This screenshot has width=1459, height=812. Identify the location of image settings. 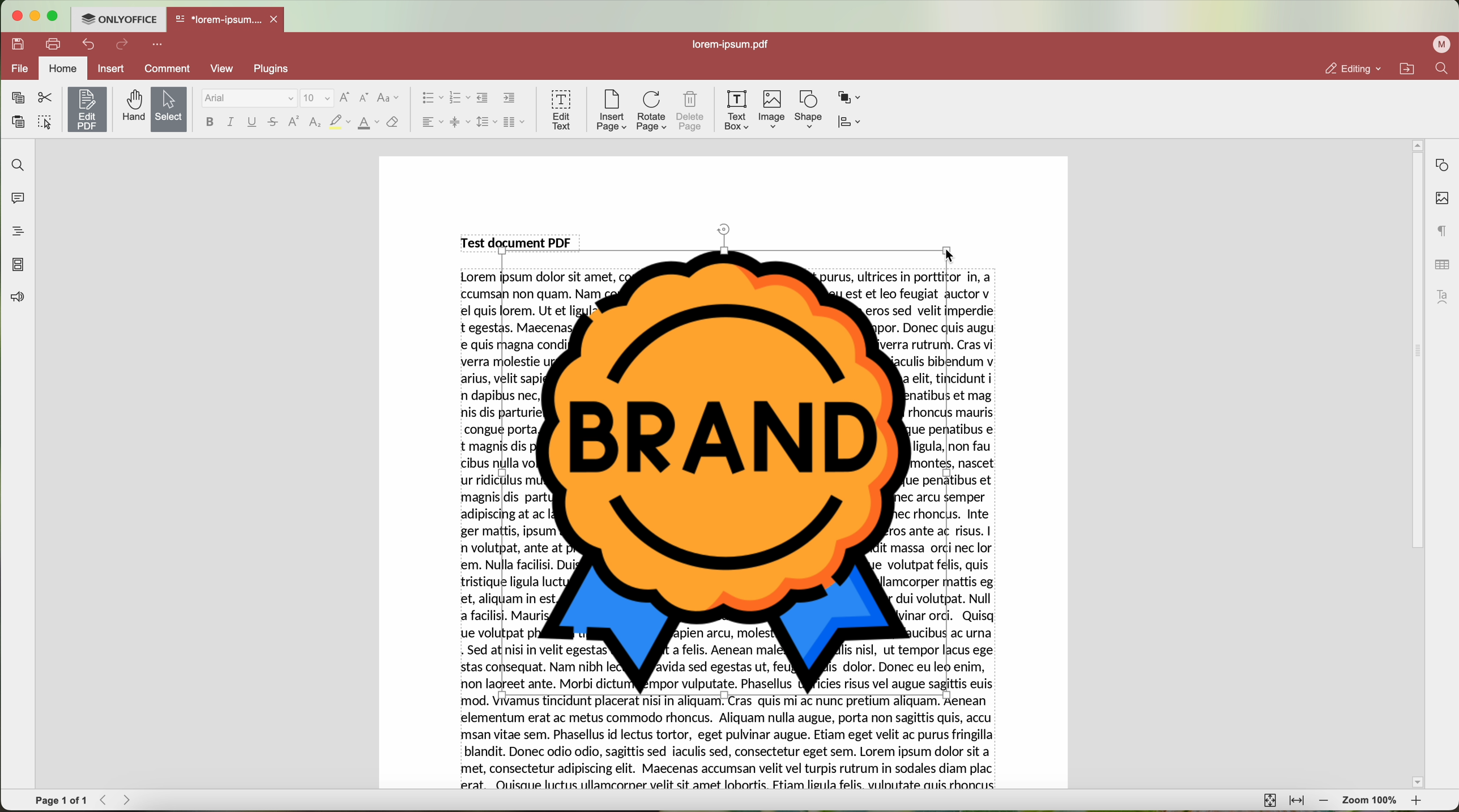
(1442, 199).